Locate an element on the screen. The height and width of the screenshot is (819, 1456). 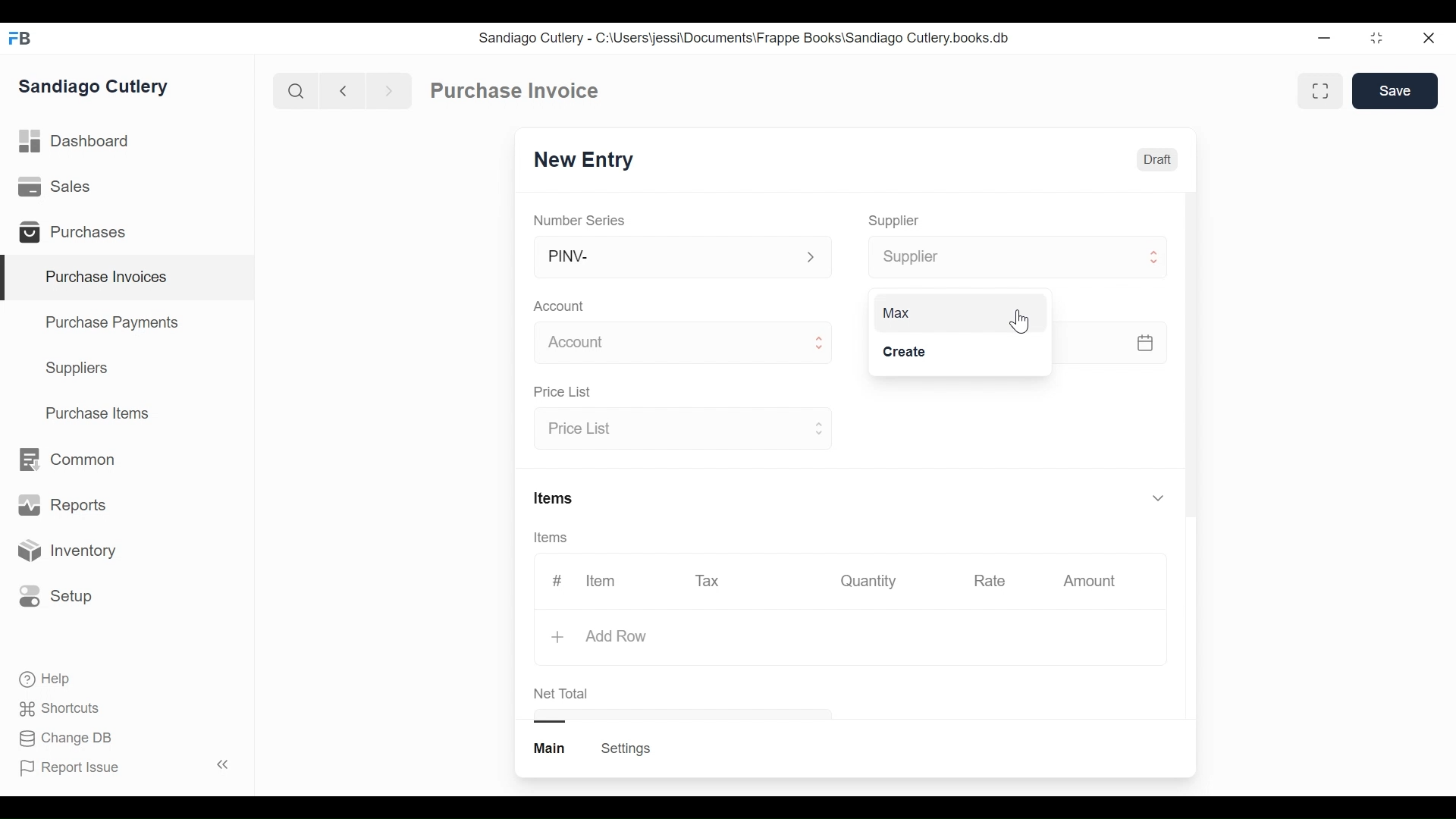
Purchase Items is located at coordinates (98, 415).